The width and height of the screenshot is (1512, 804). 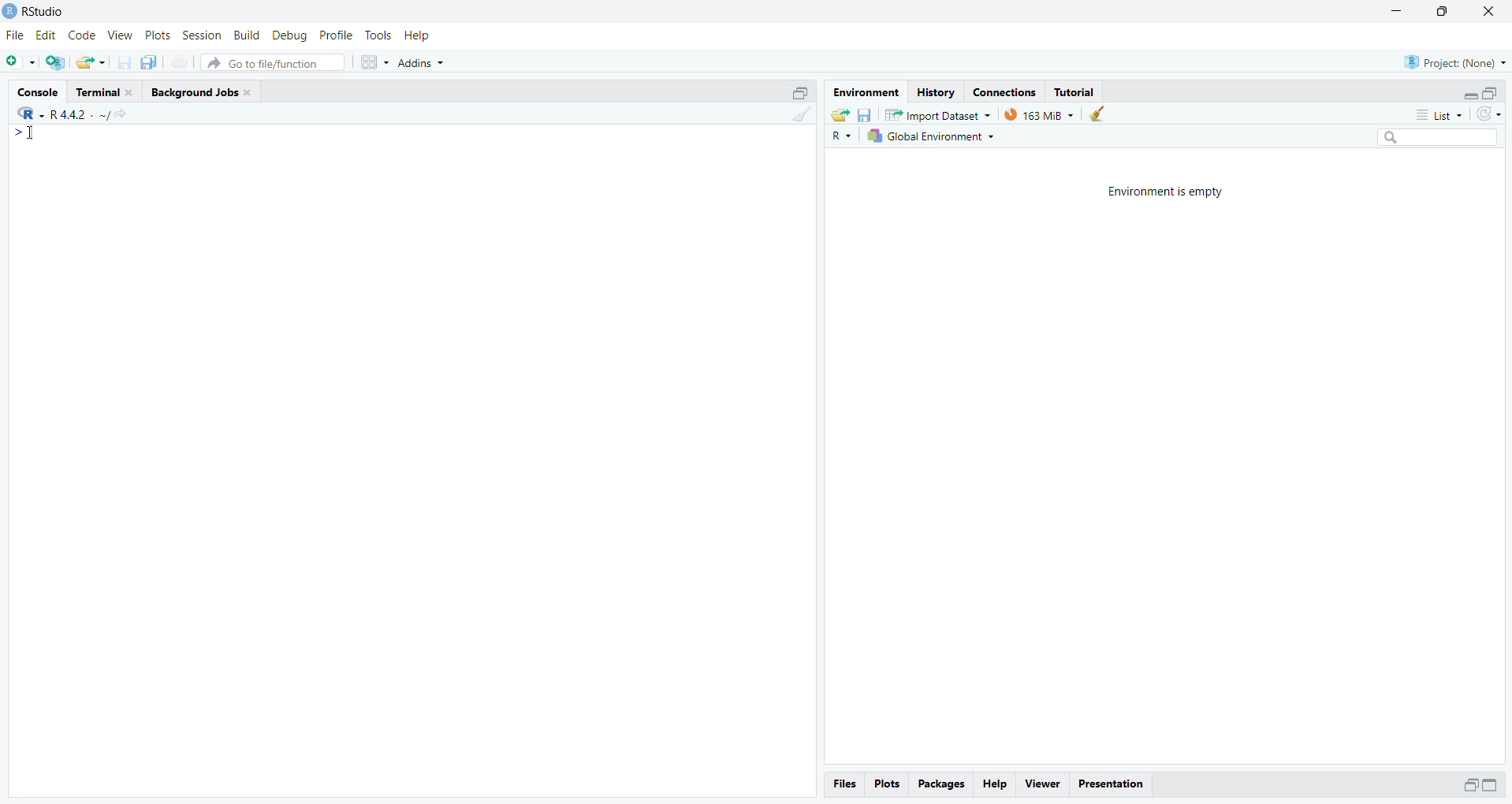 I want to click on plots, so click(x=889, y=784).